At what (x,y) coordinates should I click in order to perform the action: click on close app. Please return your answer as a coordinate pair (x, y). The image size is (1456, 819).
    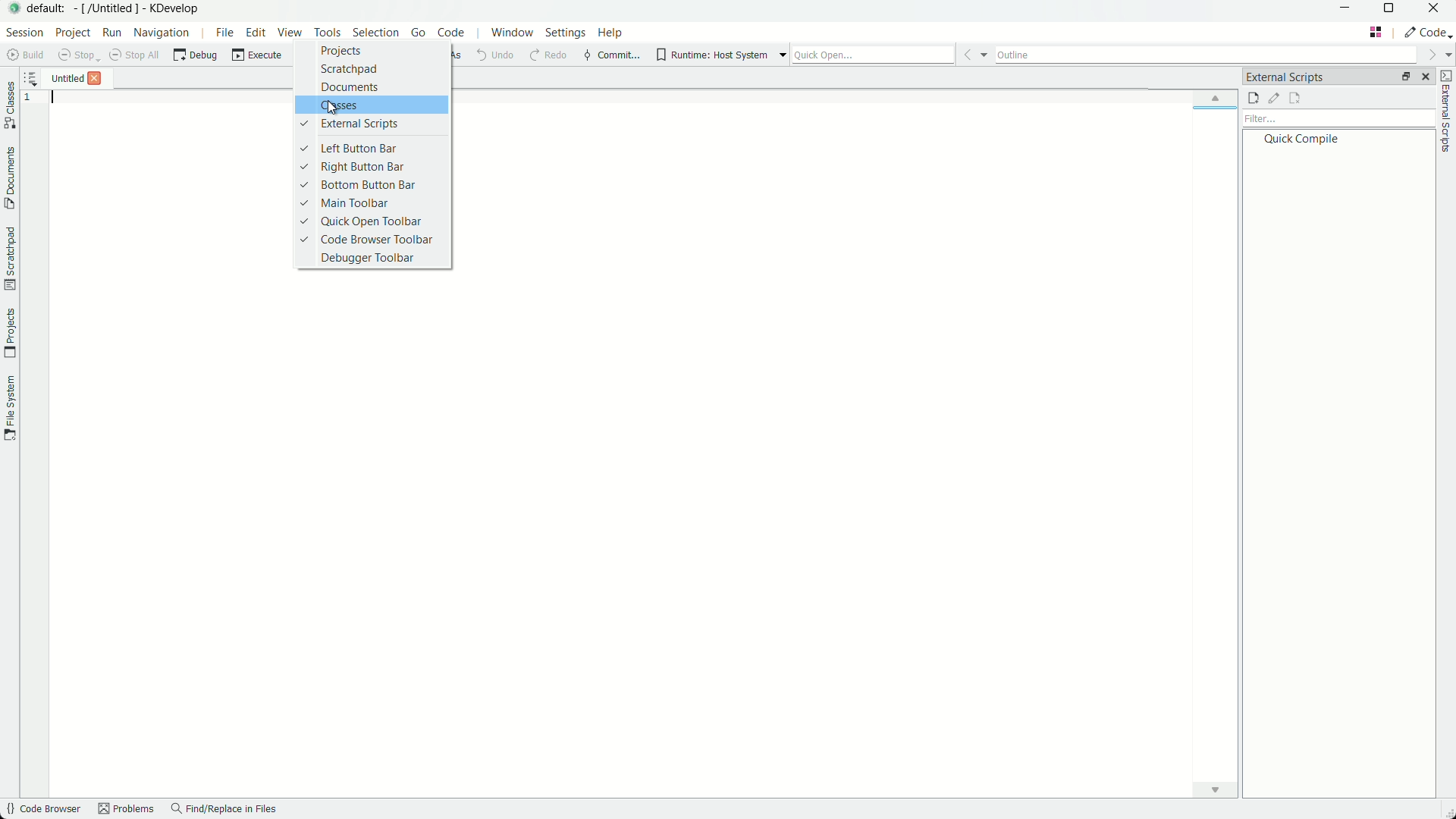
    Looking at the image, I should click on (1437, 12).